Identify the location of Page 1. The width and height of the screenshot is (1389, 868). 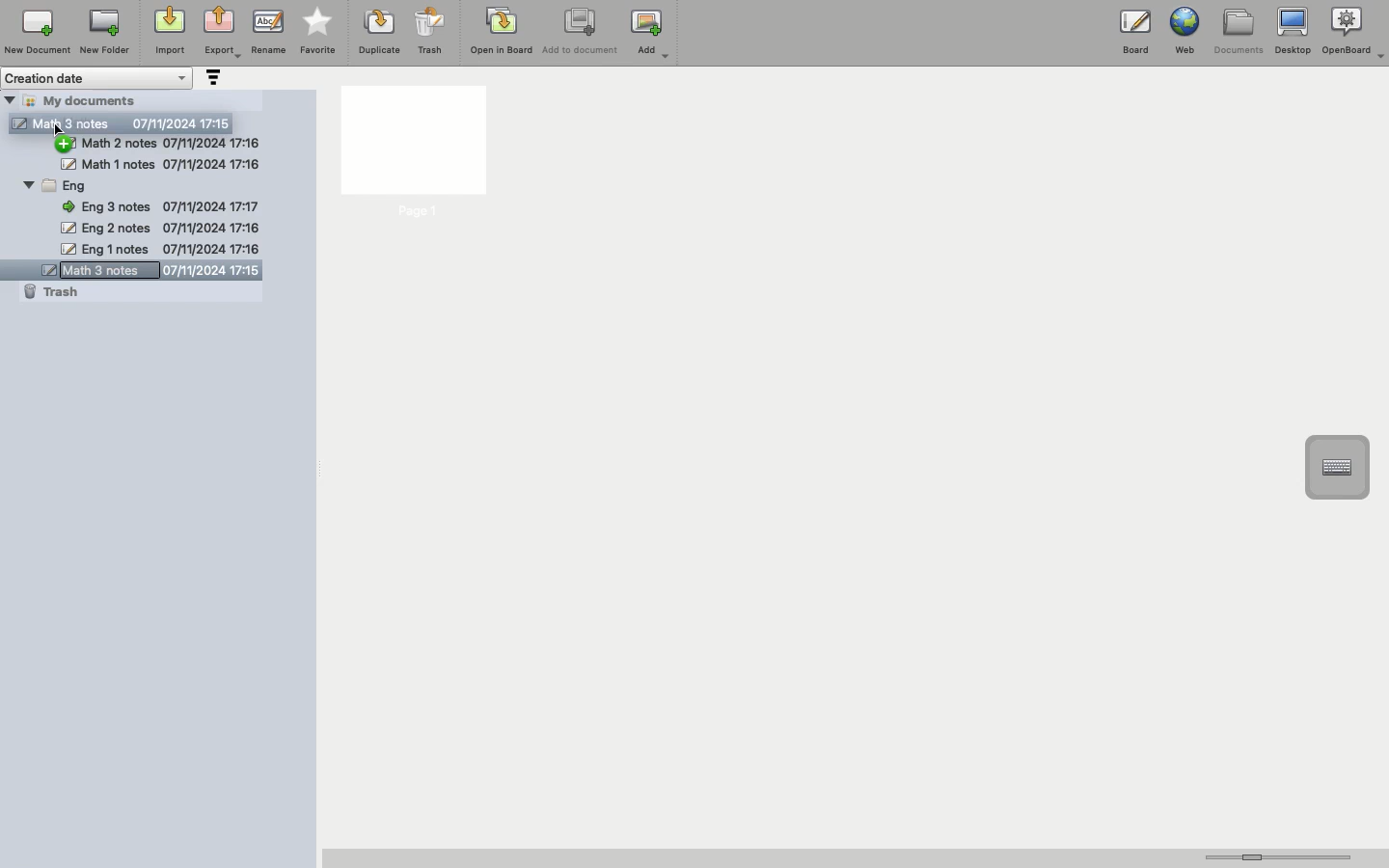
(412, 153).